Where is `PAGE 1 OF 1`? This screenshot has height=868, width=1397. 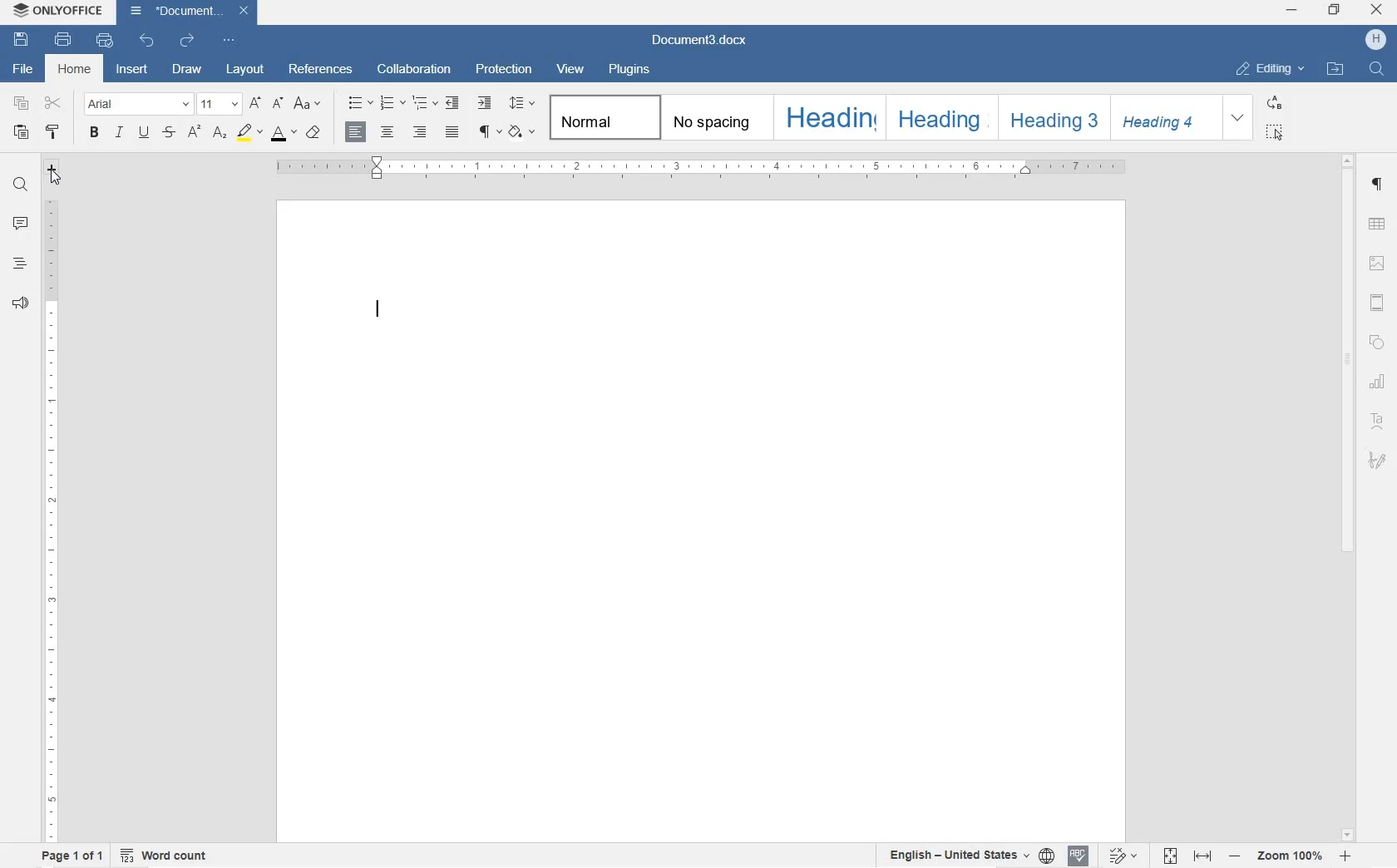
PAGE 1 OF 1 is located at coordinates (71, 857).